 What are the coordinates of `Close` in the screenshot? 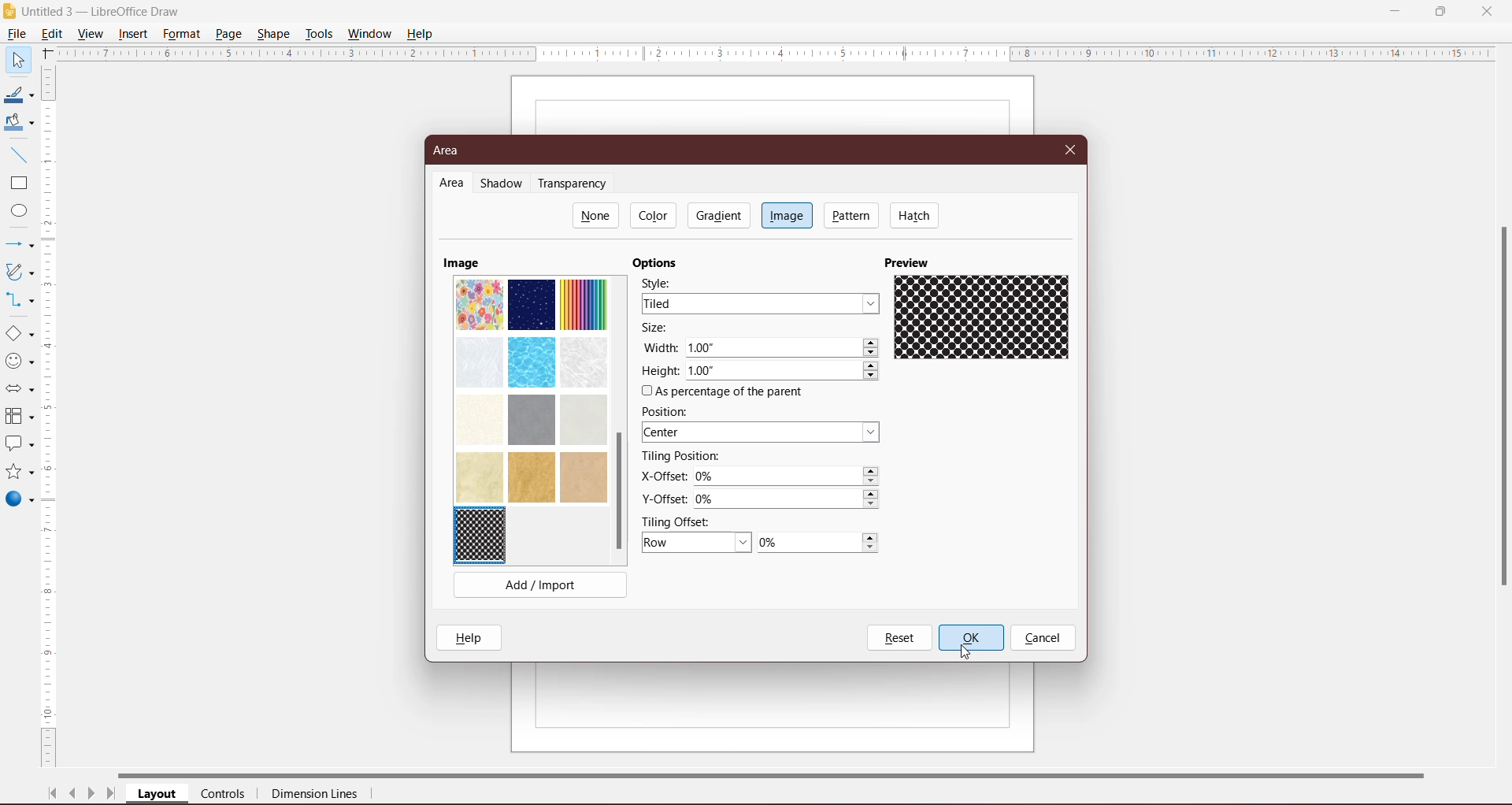 It's located at (1071, 148).